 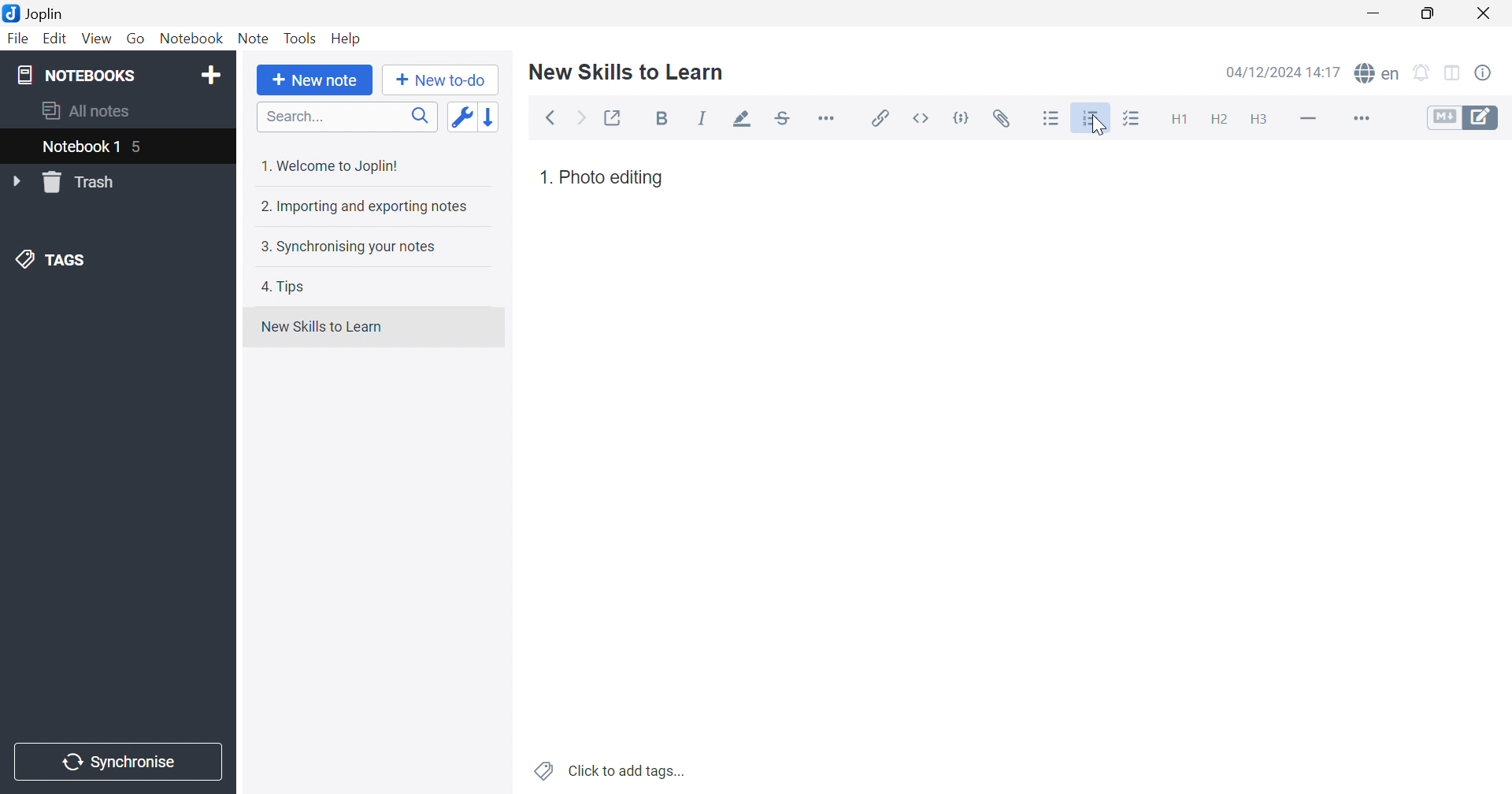 What do you see at coordinates (54, 258) in the screenshot?
I see `TAGS` at bounding box center [54, 258].